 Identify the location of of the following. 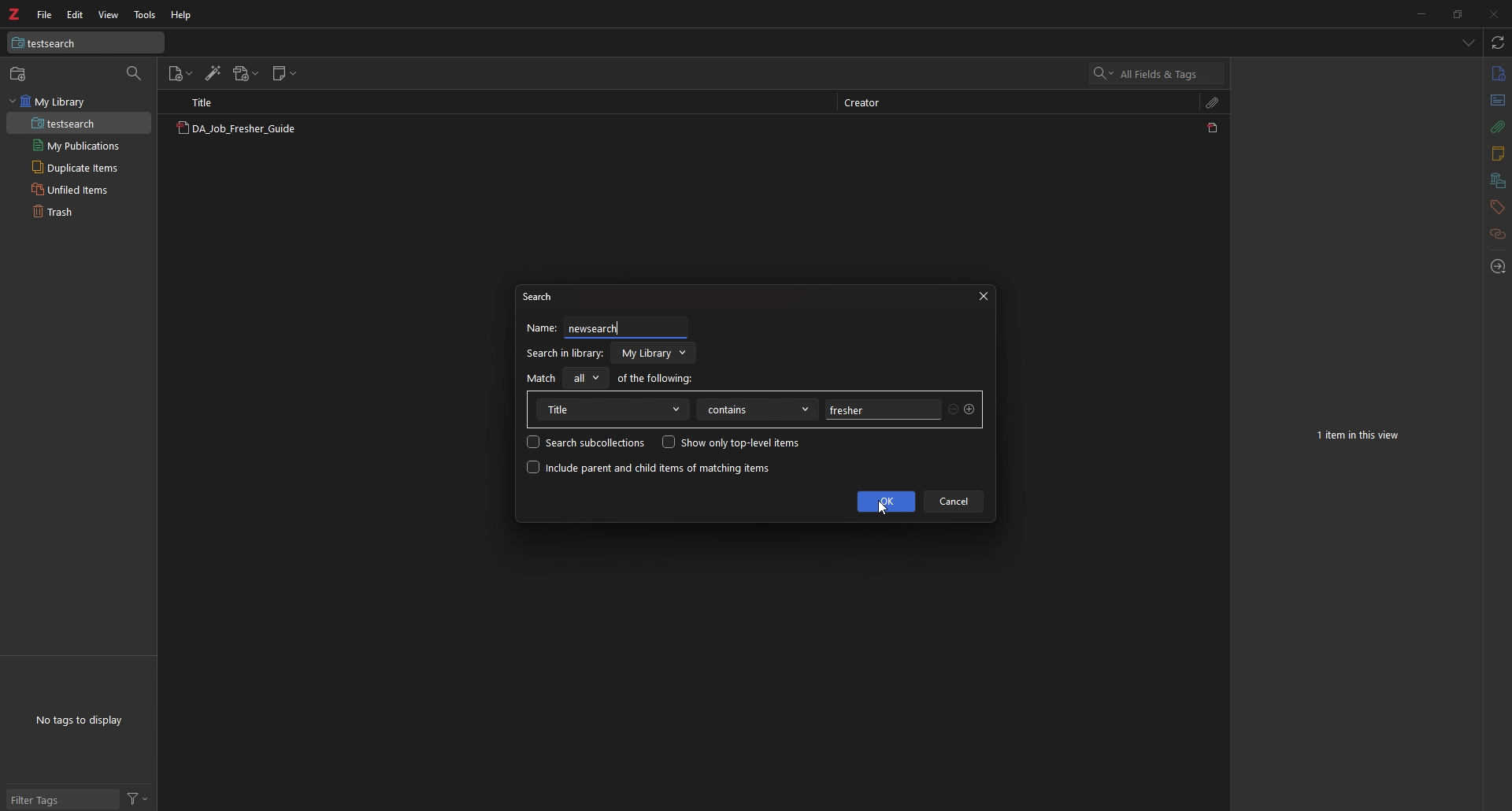
(656, 377).